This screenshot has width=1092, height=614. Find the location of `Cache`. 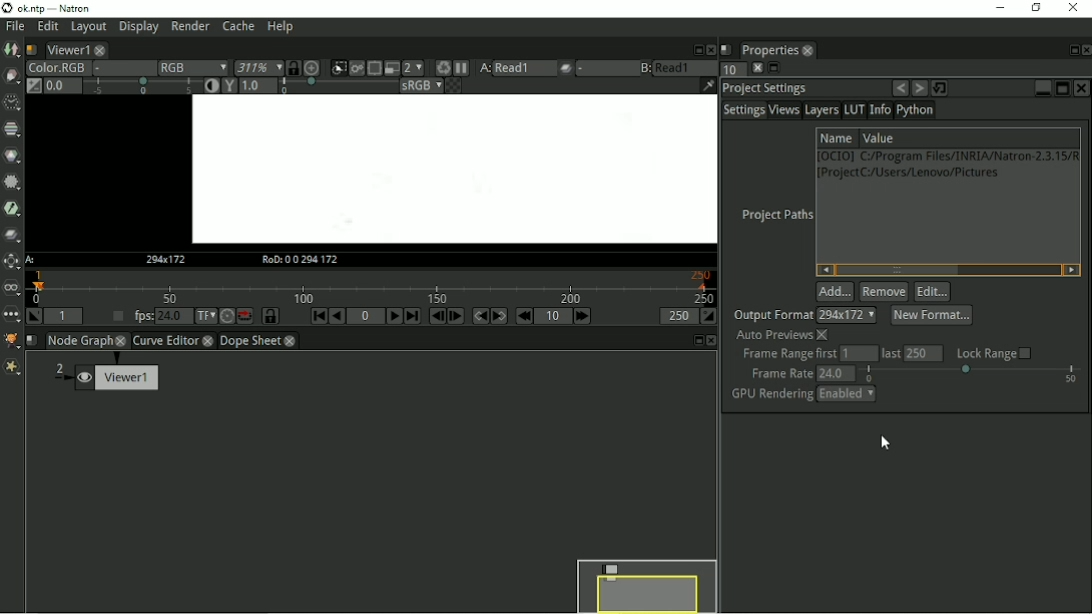

Cache is located at coordinates (238, 26).